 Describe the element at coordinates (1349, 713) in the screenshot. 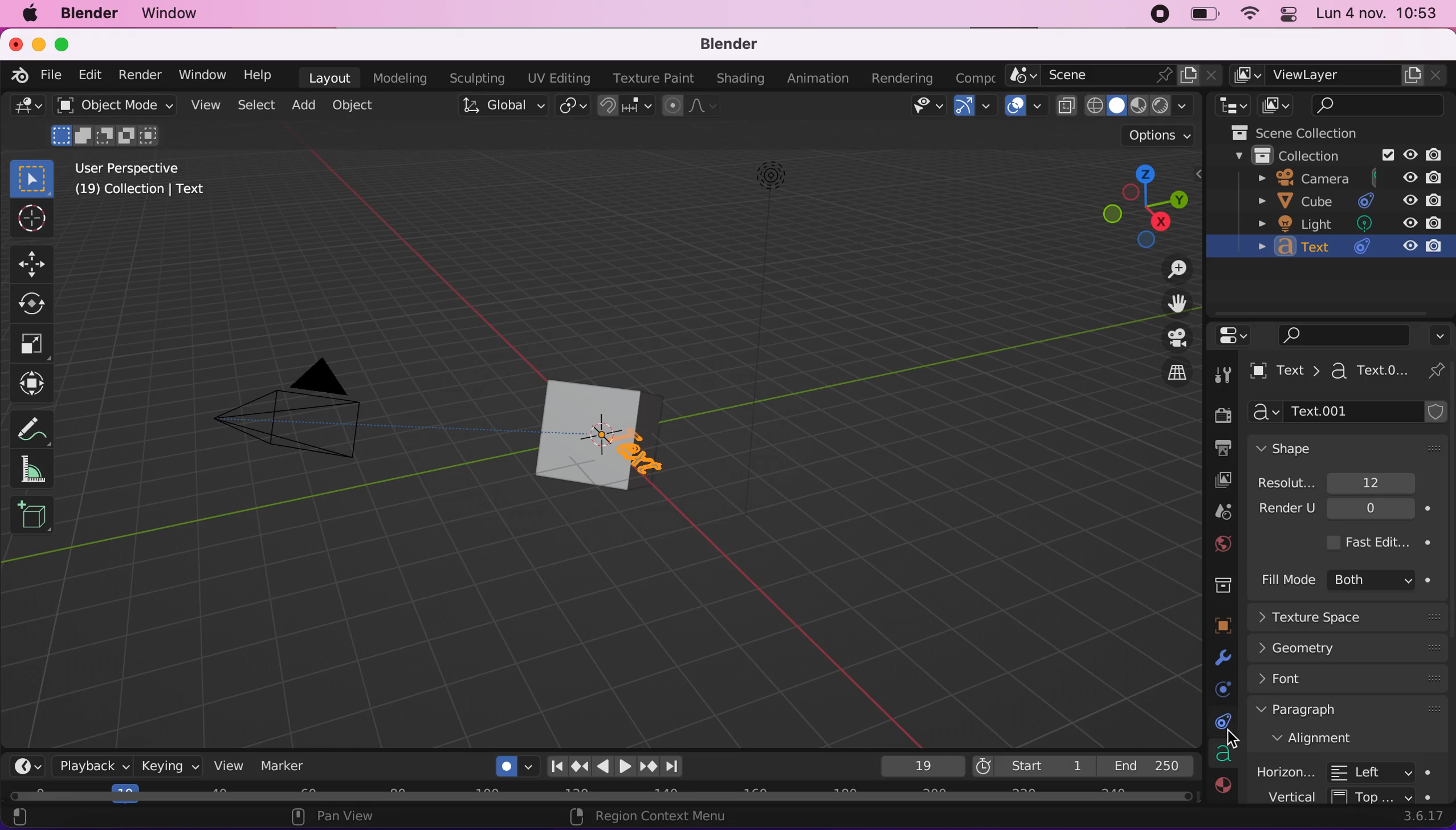

I see `paragraph` at that location.